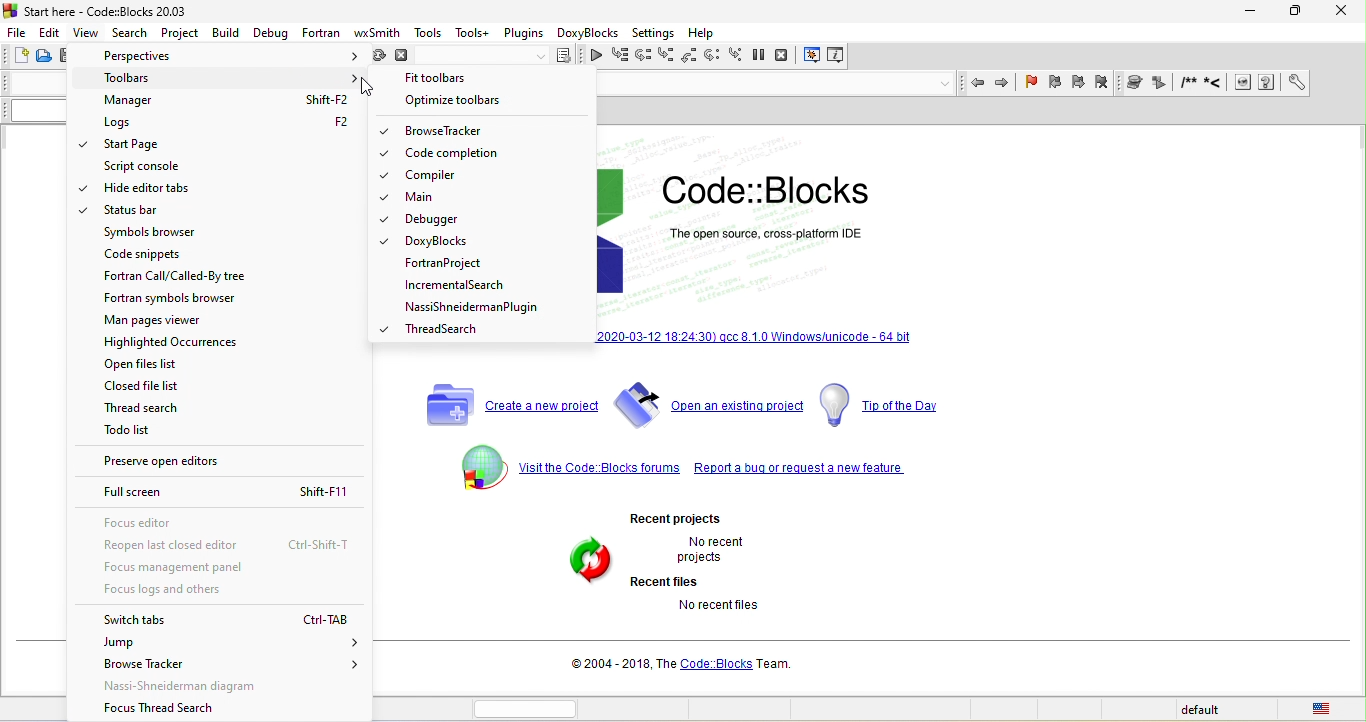 This screenshot has width=1366, height=722. Describe the element at coordinates (1215, 84) in the screenshot. I see `line comment` at that location.